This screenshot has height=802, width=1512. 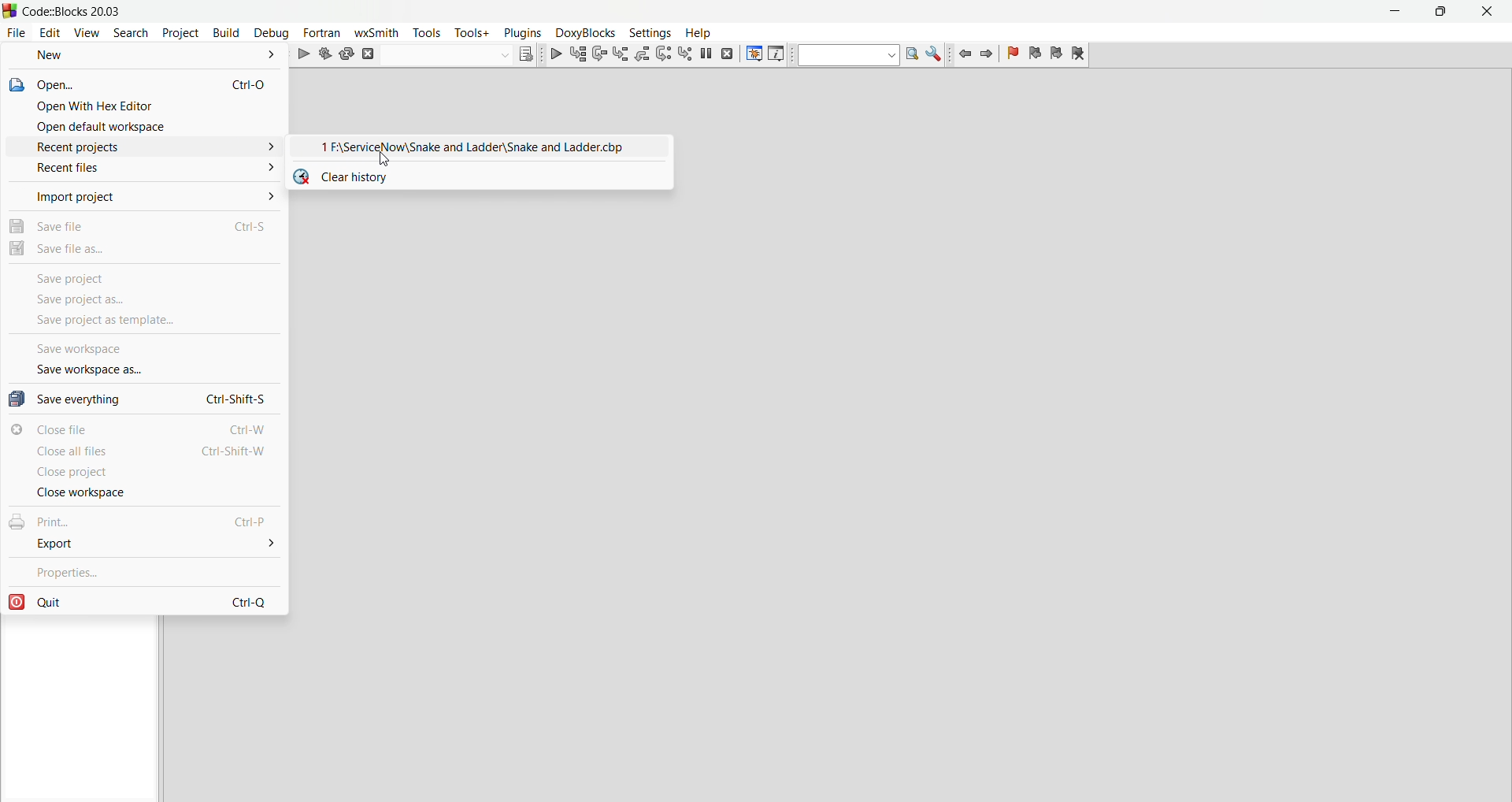 I want to click on file, so click(x=17, y=32).